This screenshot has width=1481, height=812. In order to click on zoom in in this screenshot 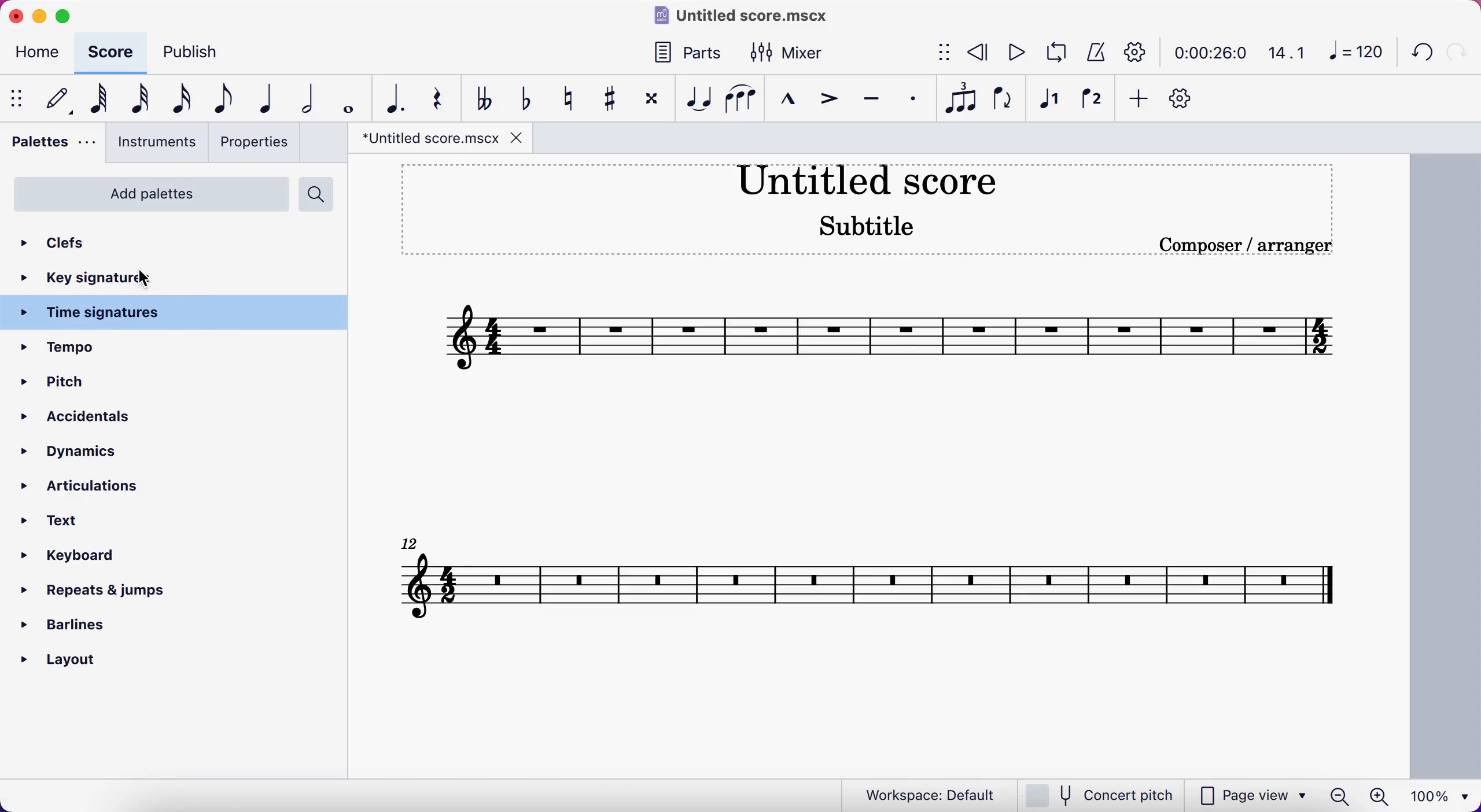, I will do `click(1381, 795)`.